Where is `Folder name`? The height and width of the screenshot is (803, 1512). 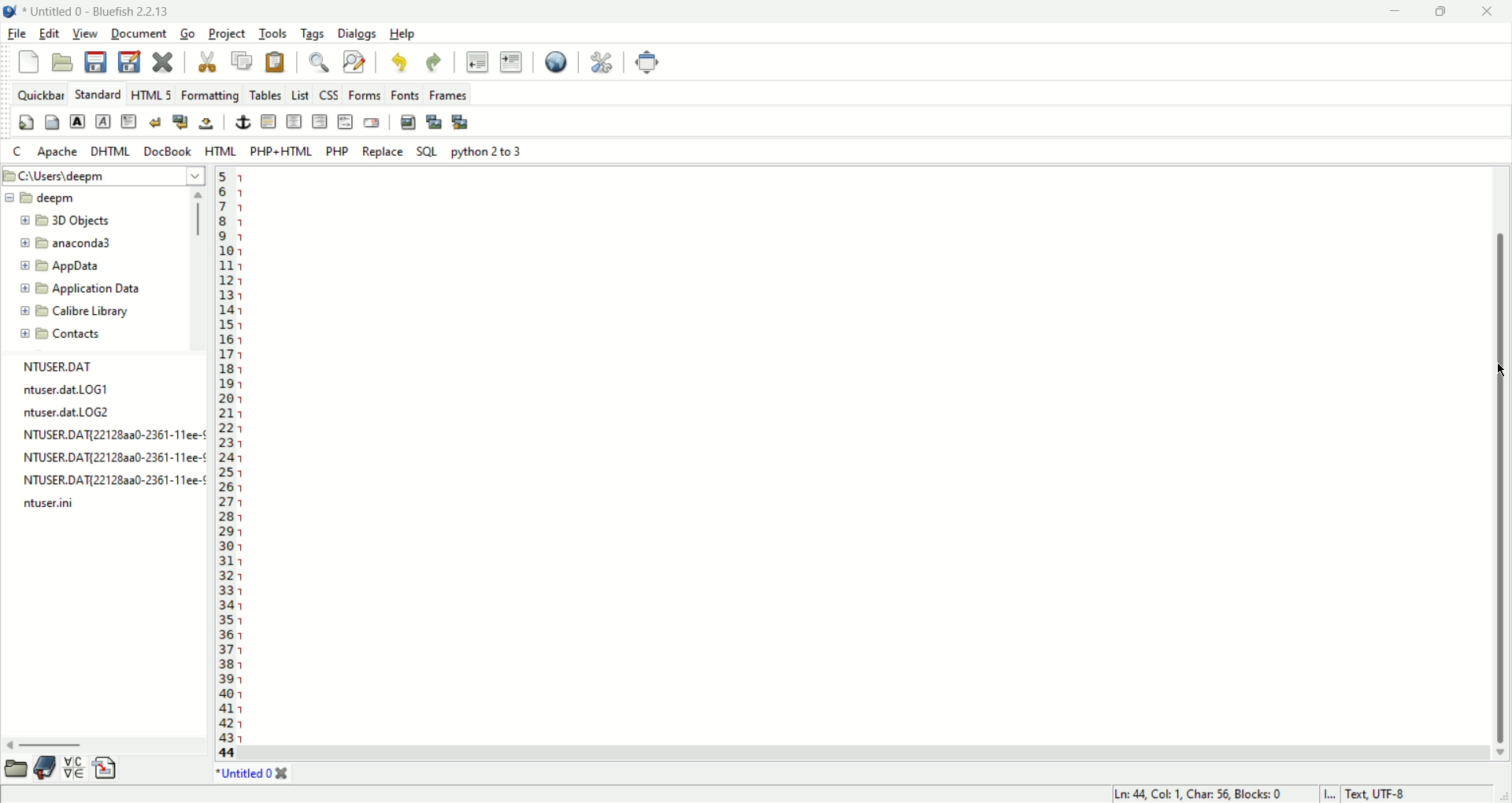 Folder name is located at coordinates (79, 312).